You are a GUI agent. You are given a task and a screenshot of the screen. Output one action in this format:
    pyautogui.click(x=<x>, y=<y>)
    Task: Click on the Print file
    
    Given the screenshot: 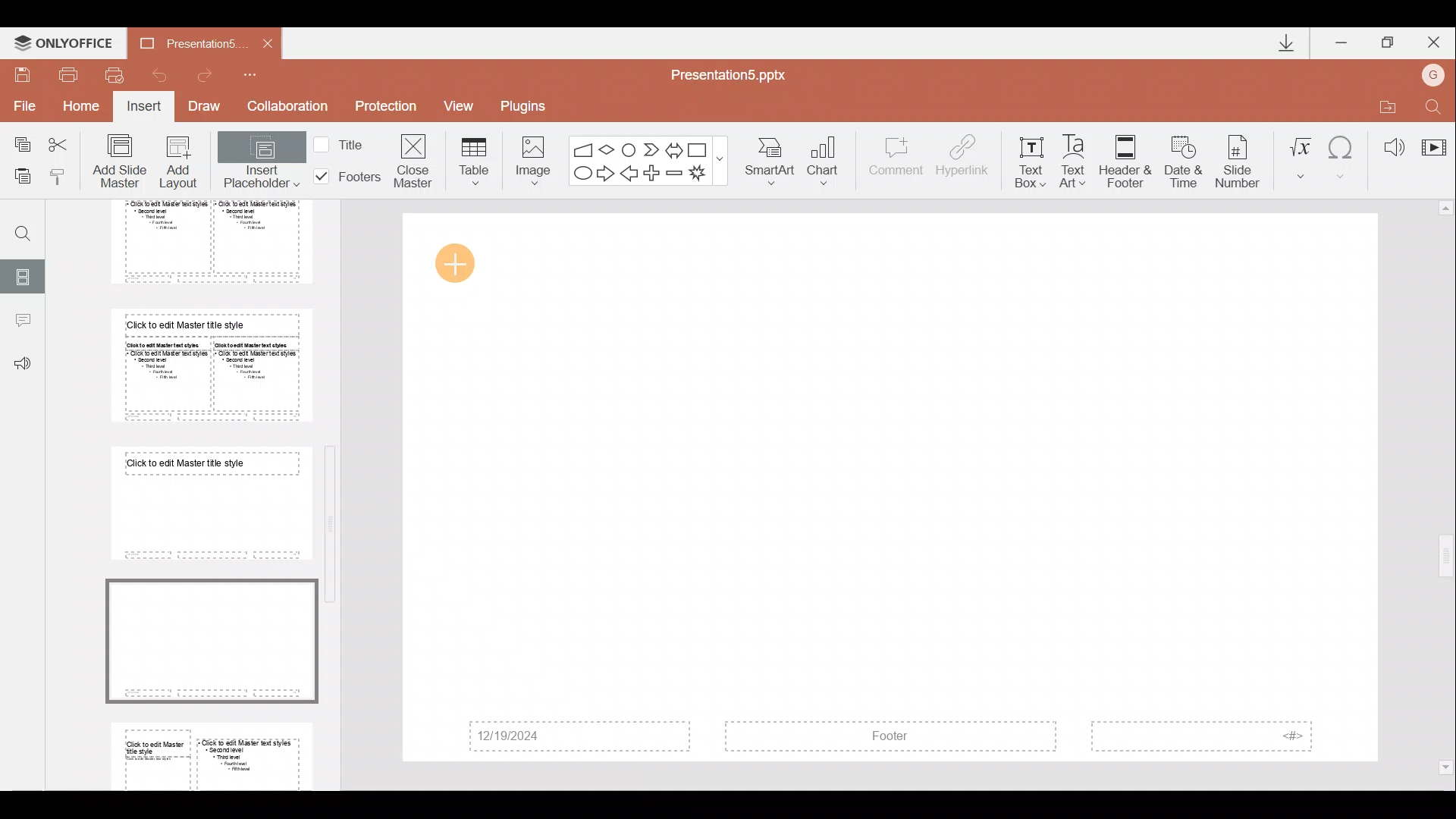 What is the action you would take?
    pyautogui.click(x=69, y=74)
    